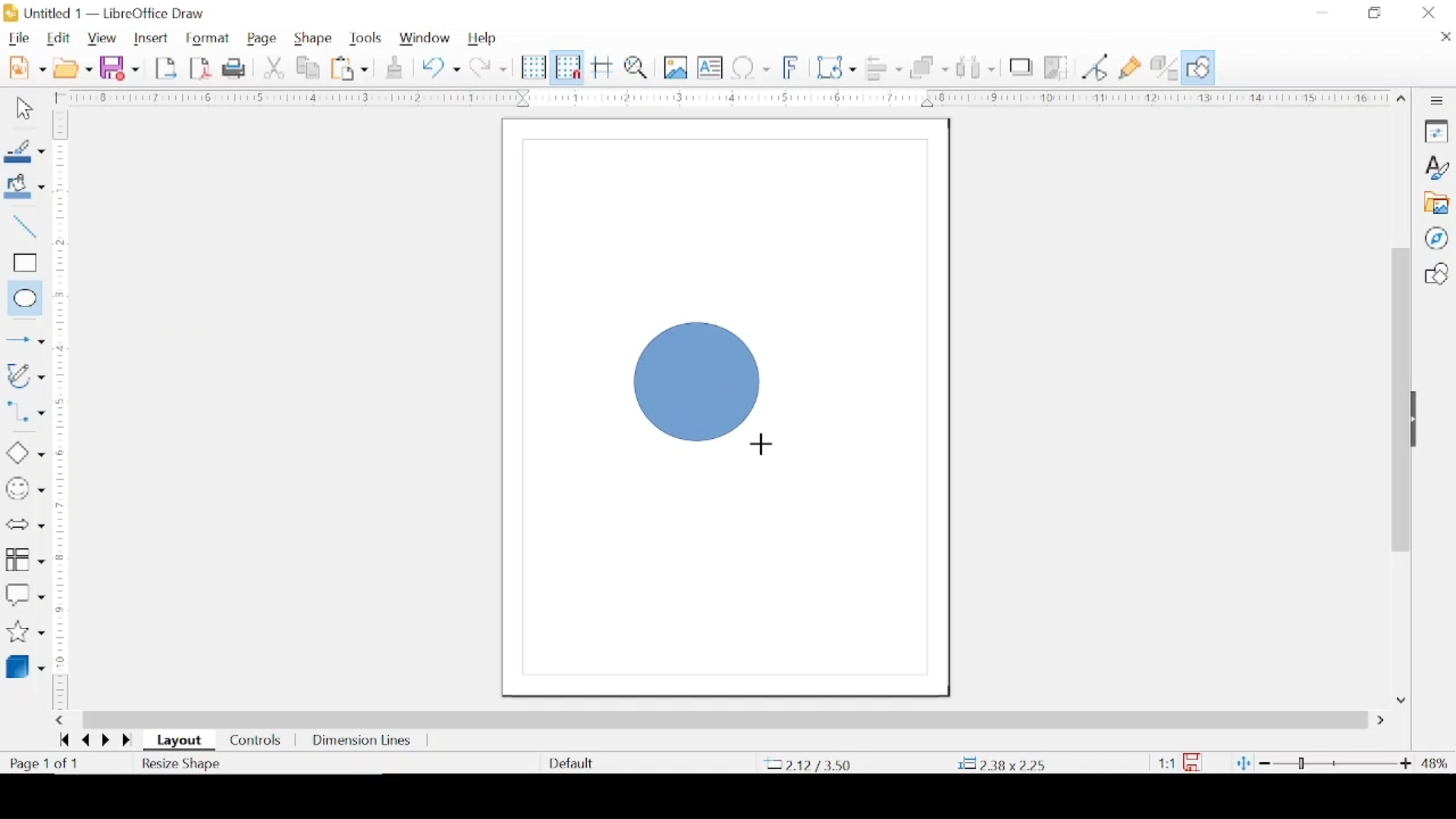 The width and height of the screenshot is (1456, 819). What do you see at coordinates (25, 593) in the screenshot?
I see `callout shapes` at bounding box center [25, 593].